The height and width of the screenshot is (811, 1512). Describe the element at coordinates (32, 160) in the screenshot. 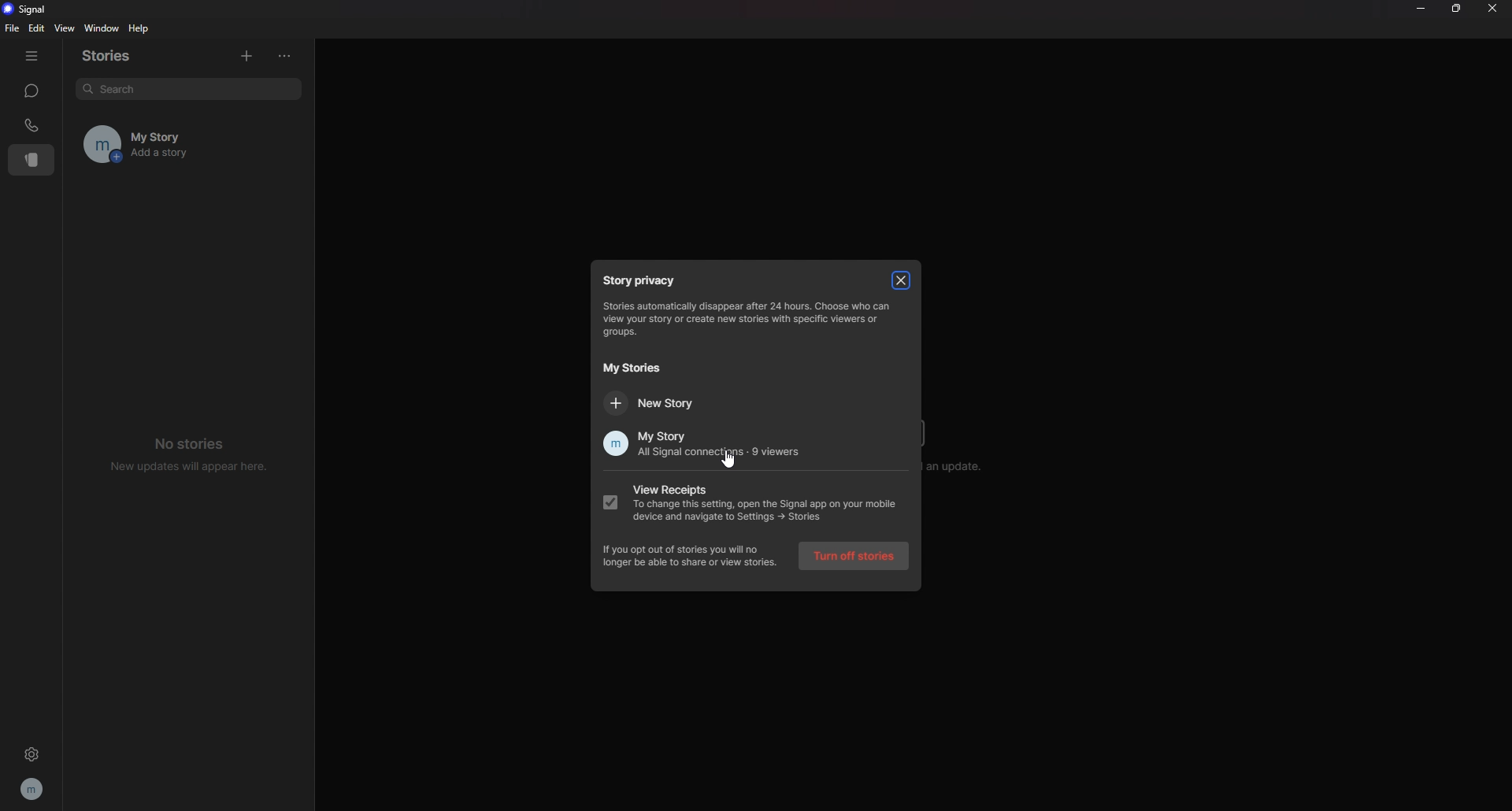

I see `stories` at that location.